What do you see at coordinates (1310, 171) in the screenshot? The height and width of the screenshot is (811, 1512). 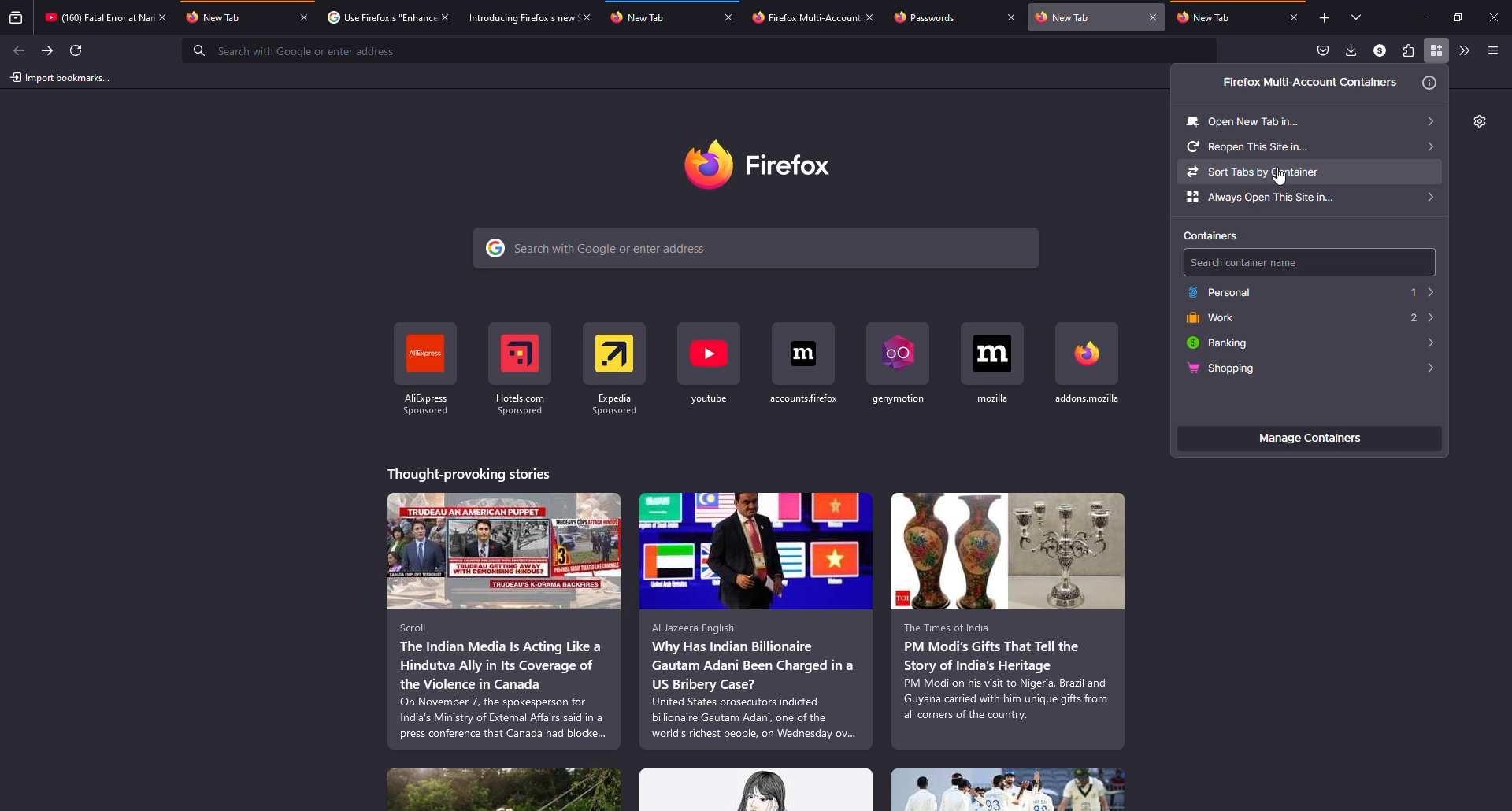 I see `sort tabs by container` at bounding box center [1310, 171].